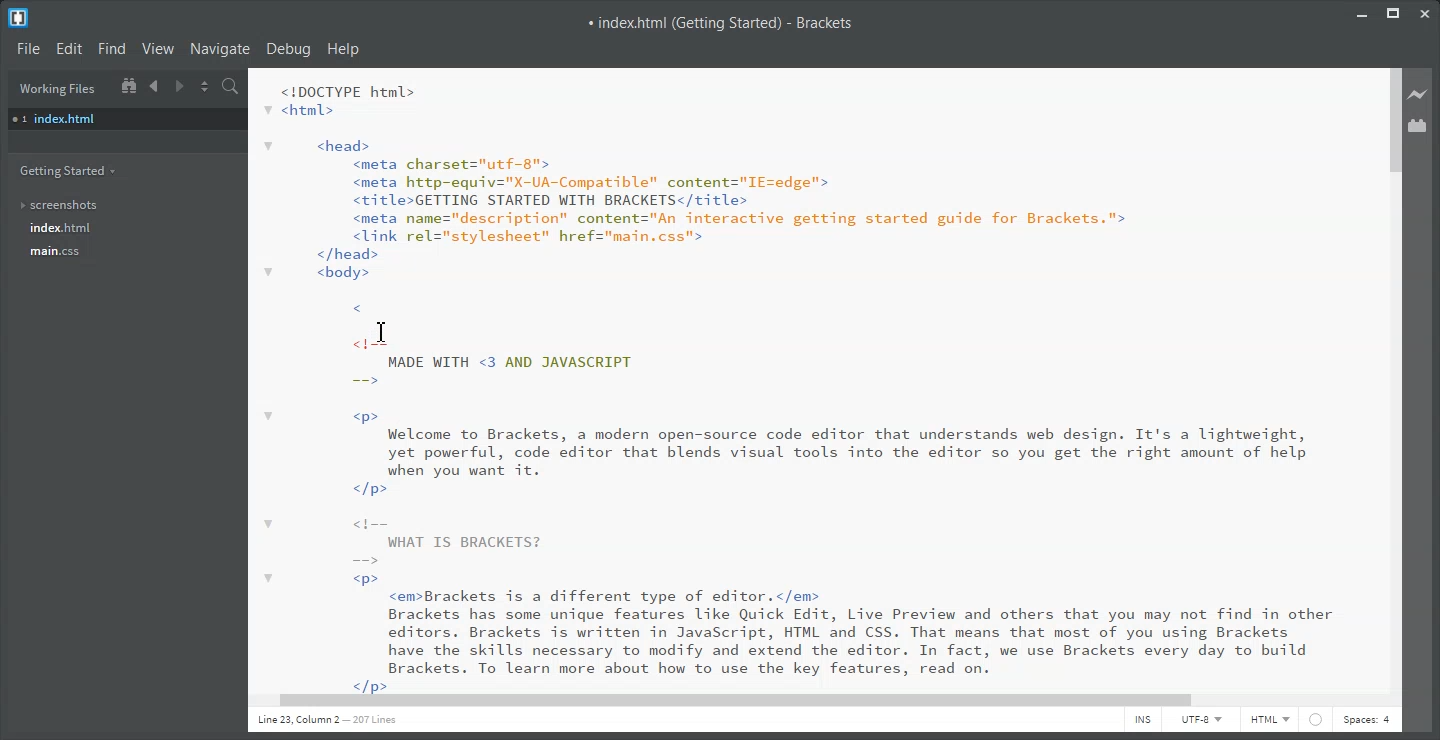 The image size is (1440, 740). I want to click on Navigate Forwards, so click(180, 86).